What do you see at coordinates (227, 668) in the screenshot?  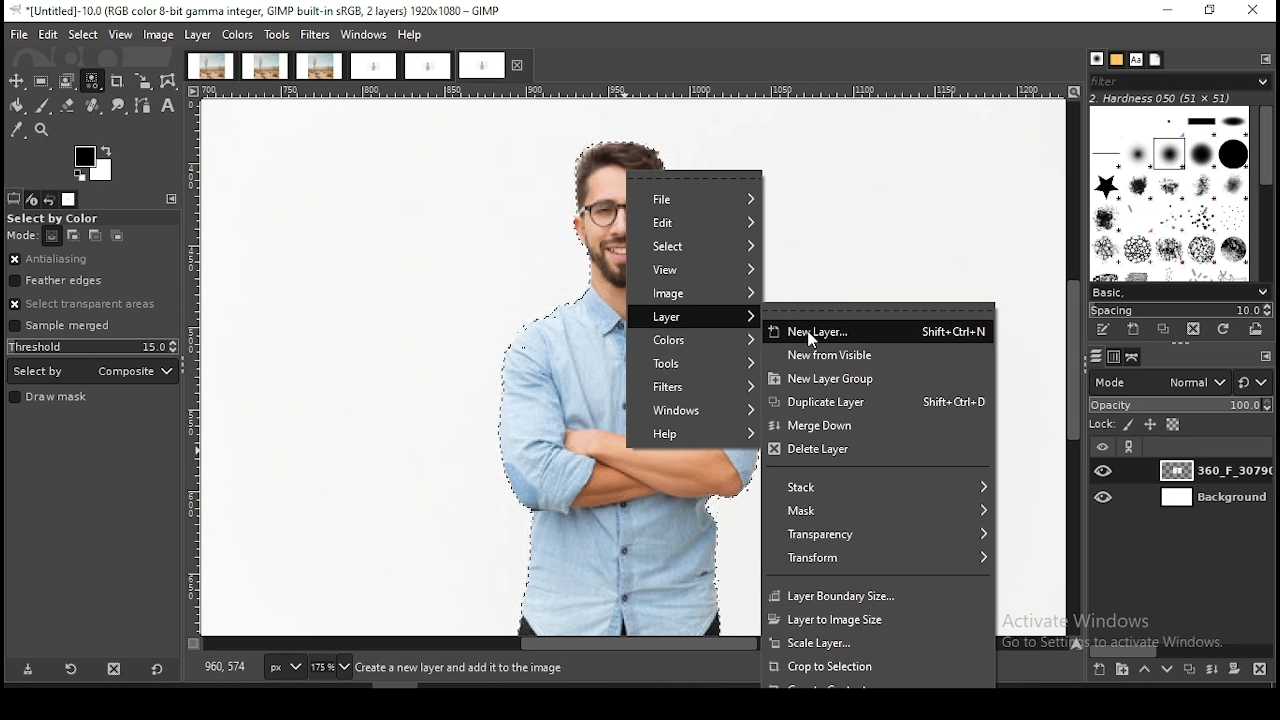 I see `775, 465` at bounding box center [227, 668].